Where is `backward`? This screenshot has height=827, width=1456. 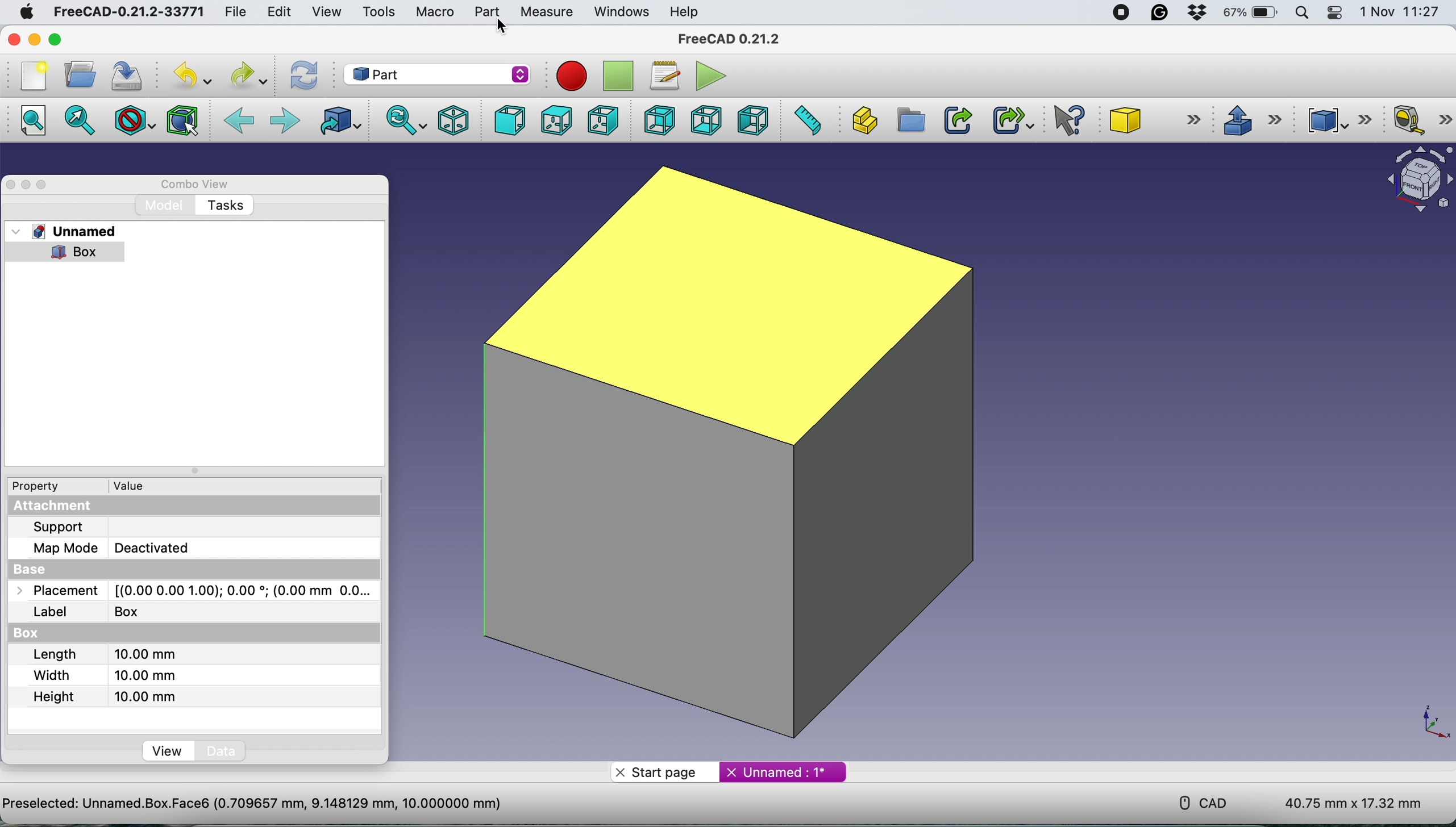
backward is located at coordinates (240, 119).